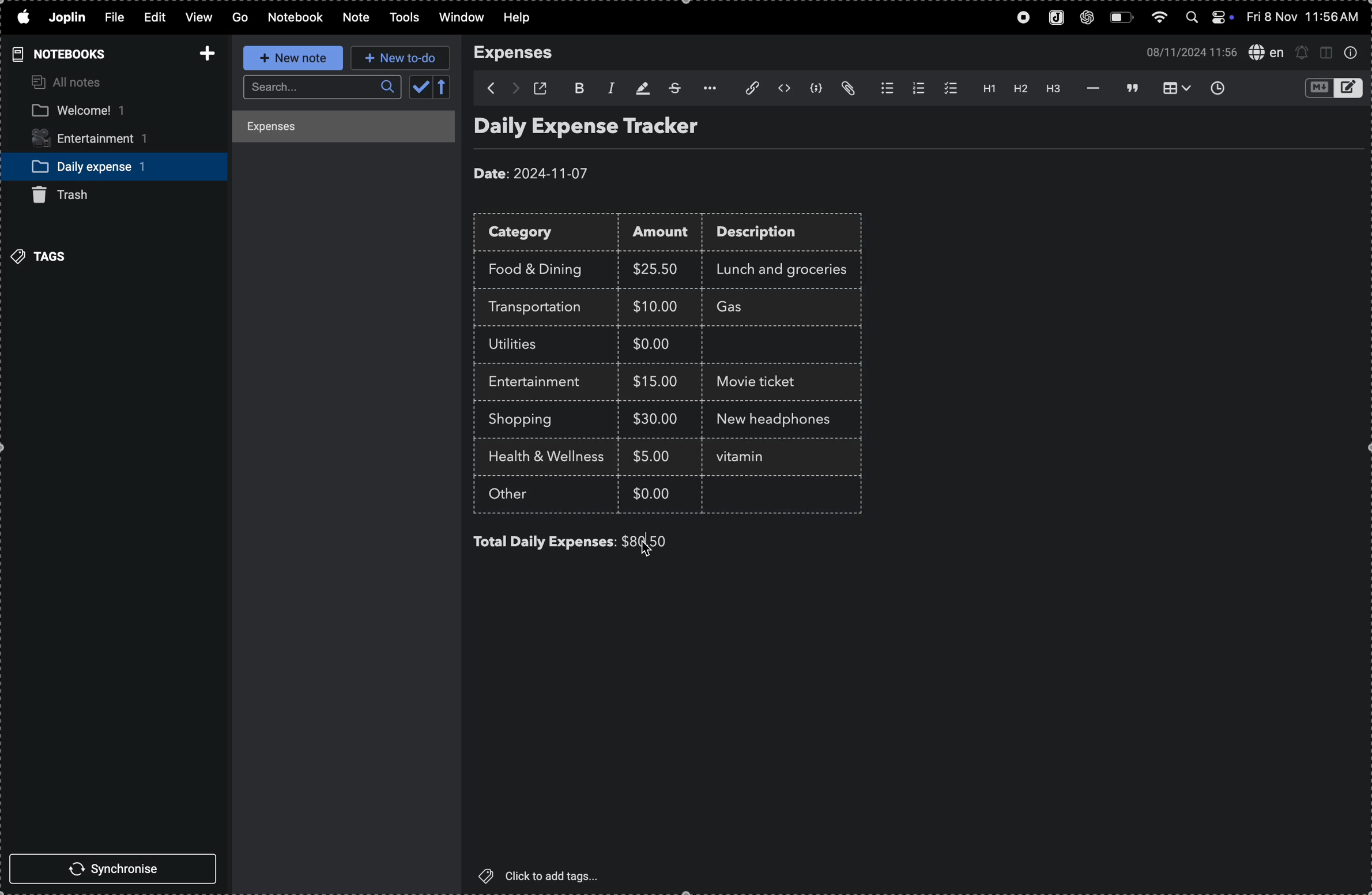 Image resolution: width=1372 pixels, height=895 pixels. What do you see at coordinates (608, 129) in the screenshot?
I see `Daily expense tracker` at bounding box center [608, 129].